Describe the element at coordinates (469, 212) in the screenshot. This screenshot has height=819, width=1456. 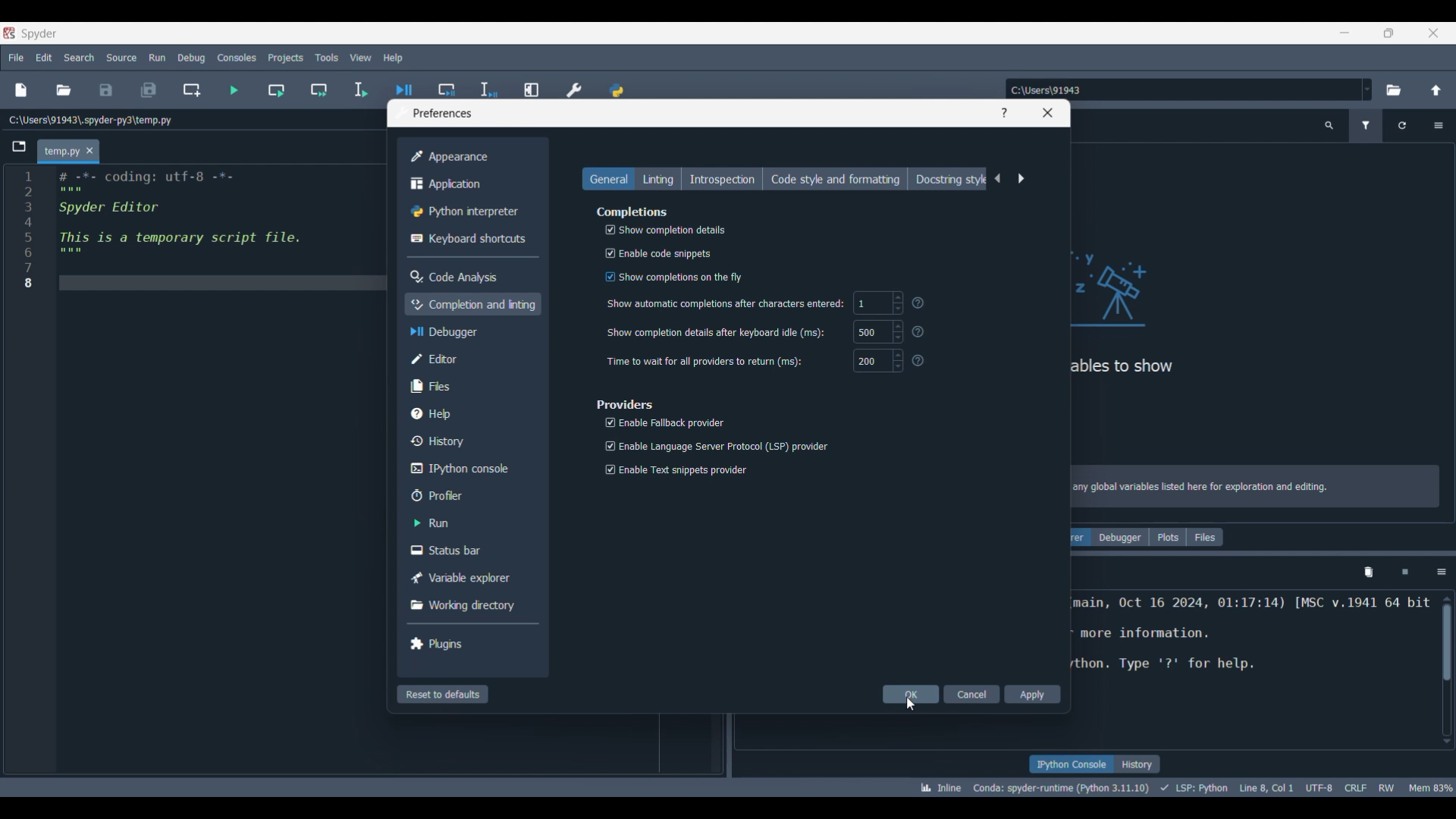
I see `Python interpreter` at that location.